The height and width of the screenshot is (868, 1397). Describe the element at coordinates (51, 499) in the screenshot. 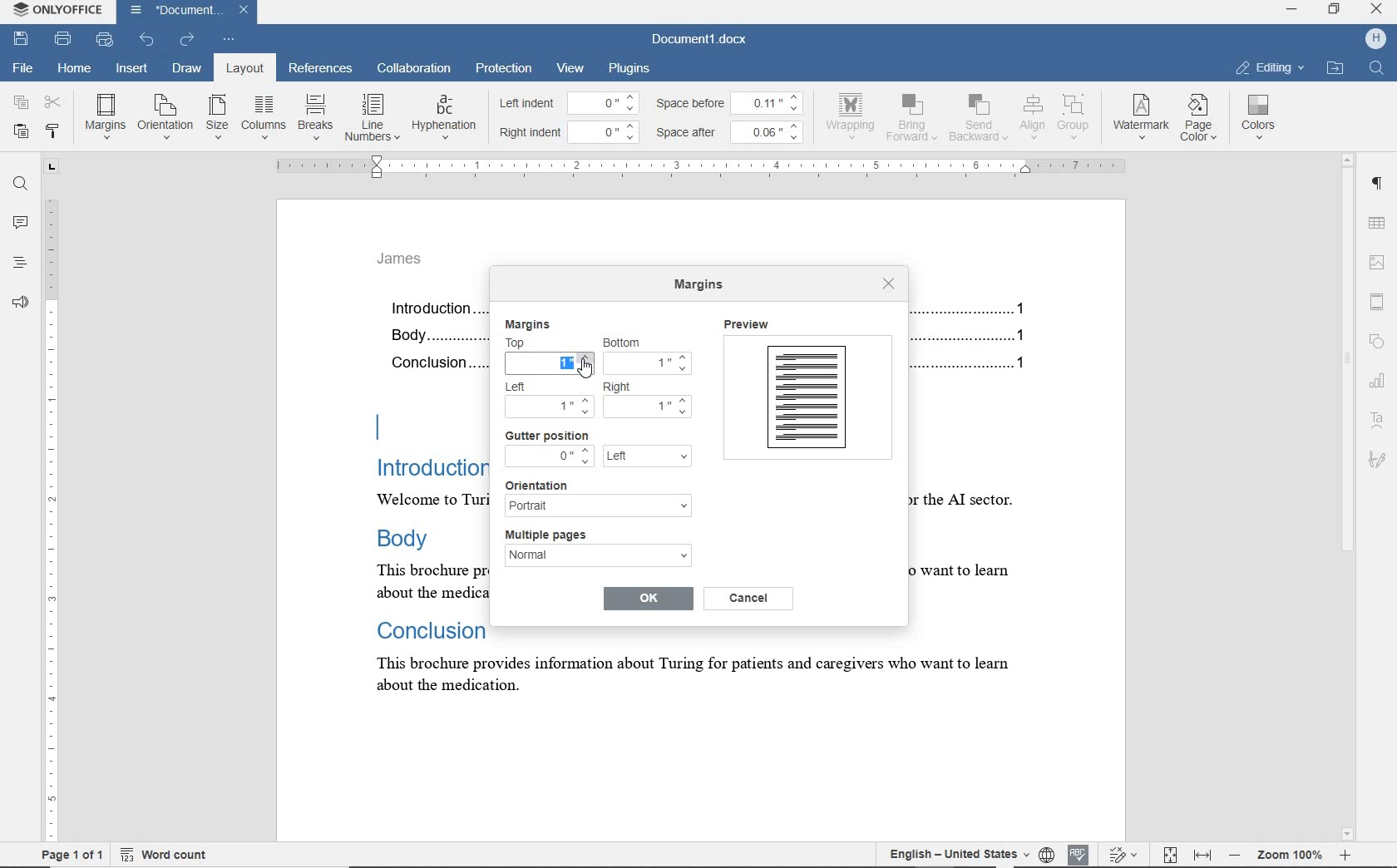

I see `ruler` at that location.